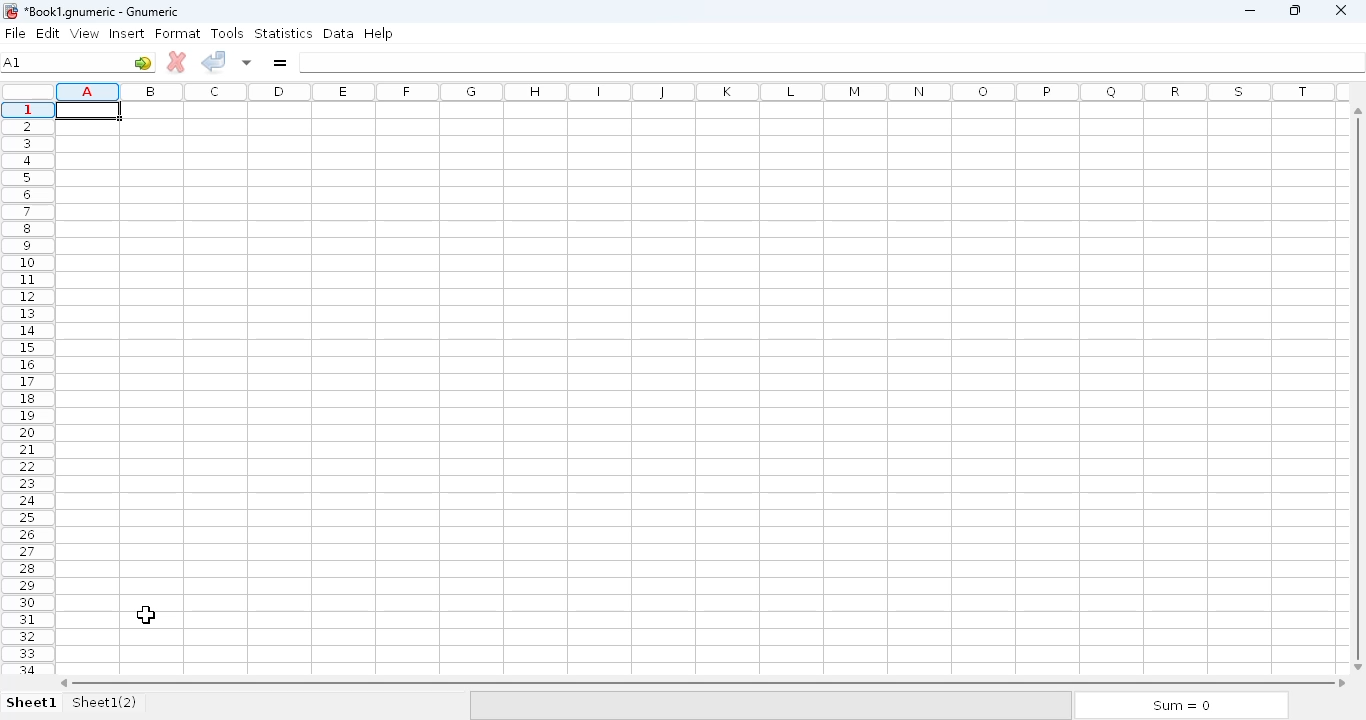  What do you see at coordinates (1342, 11) in the screenshot?
I see `close` at bounding box center [1342, 11].